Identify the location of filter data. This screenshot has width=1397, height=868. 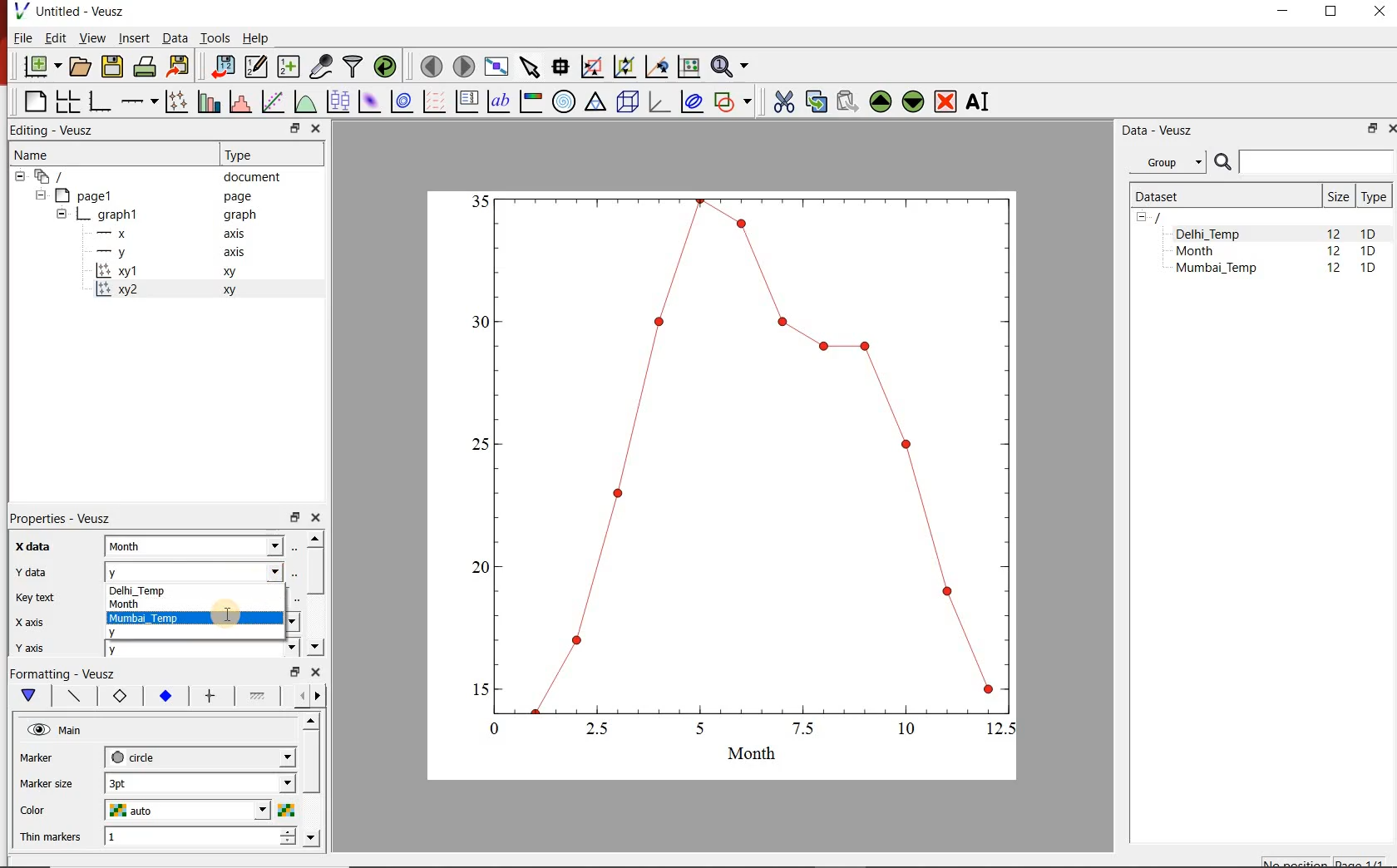
(353, 67).